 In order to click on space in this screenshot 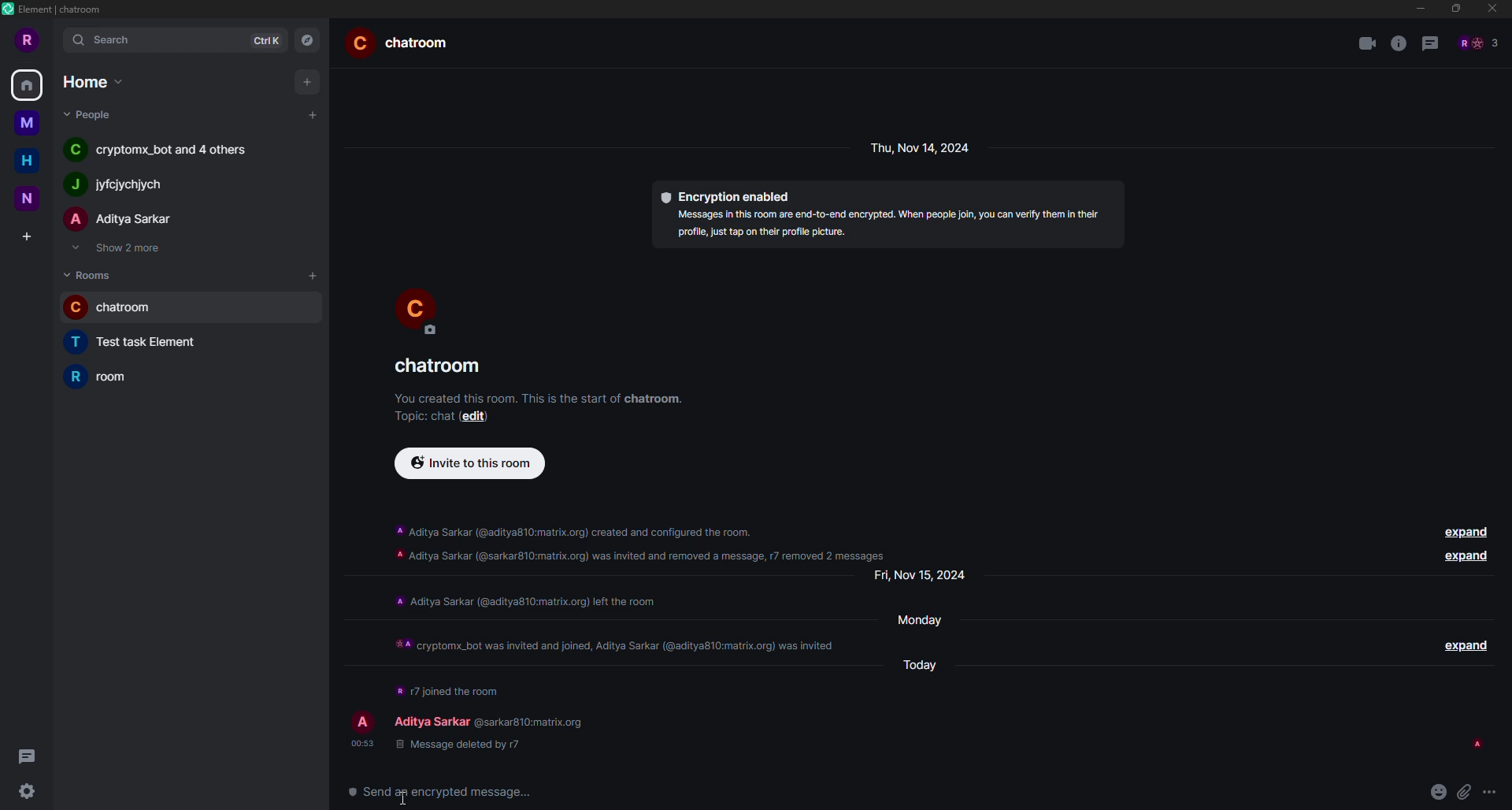, I will do `click(31, 199)`.